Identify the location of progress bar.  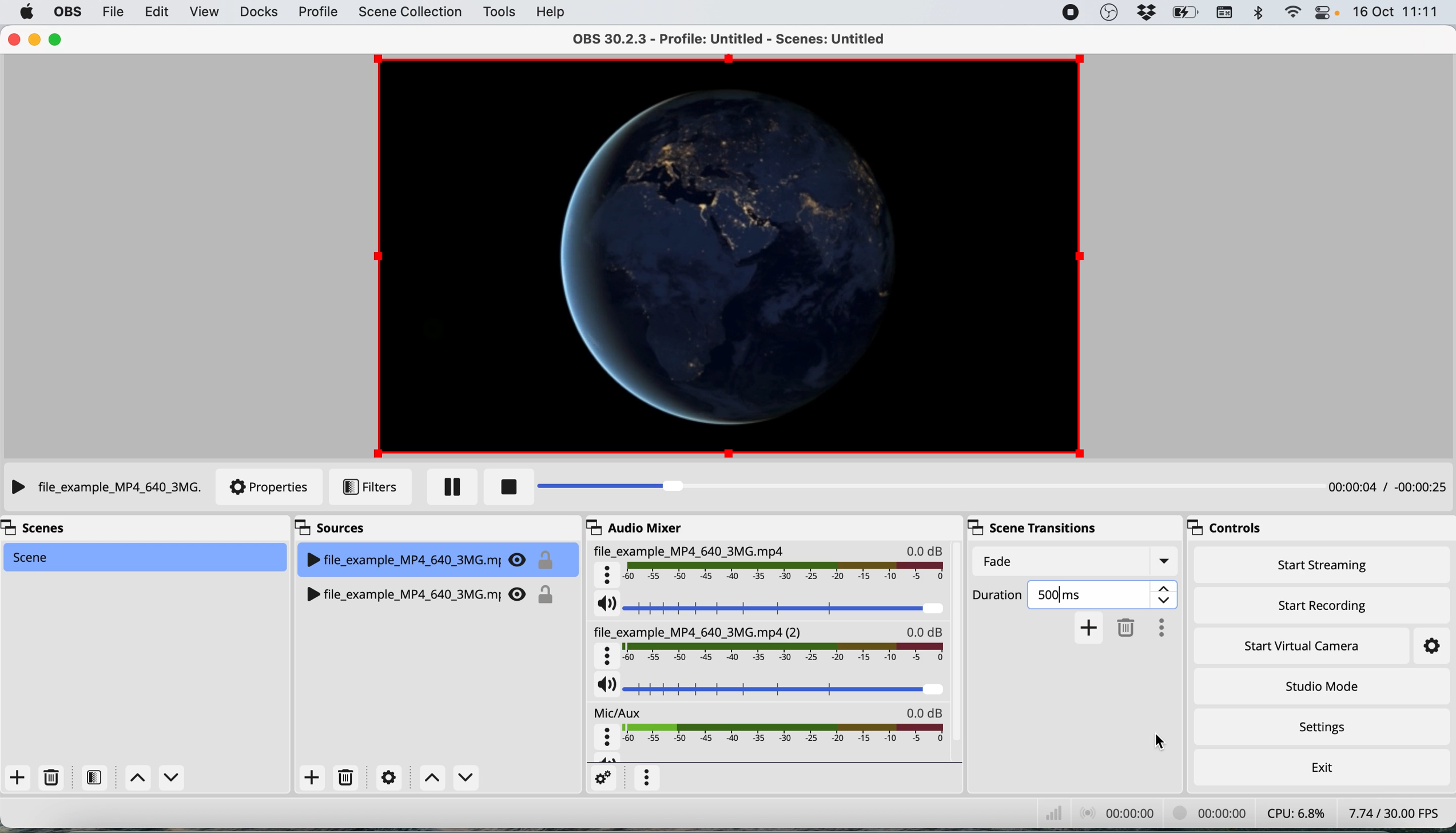
(876, 487).